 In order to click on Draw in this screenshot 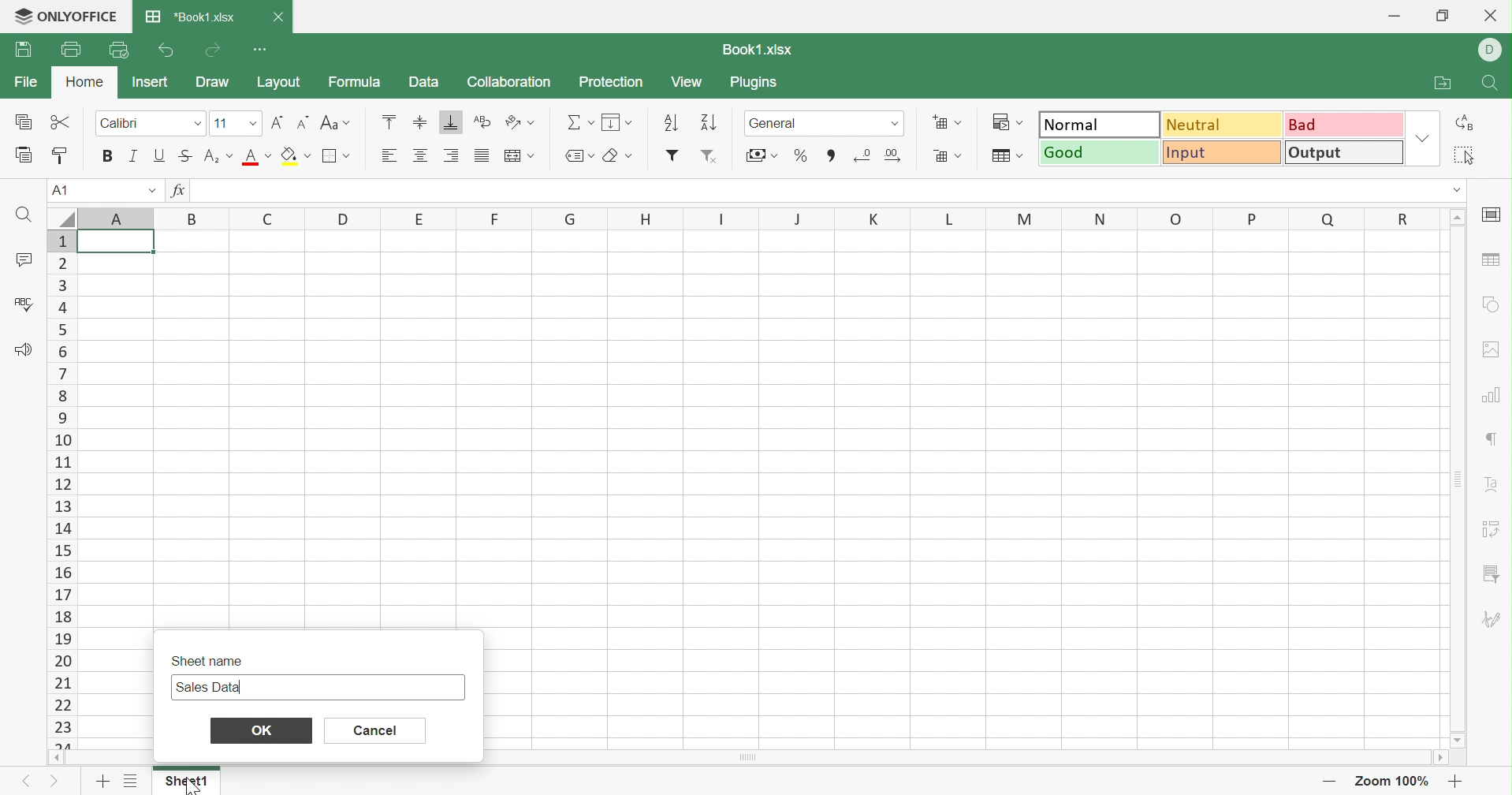, I will do `click(214, 82)`.